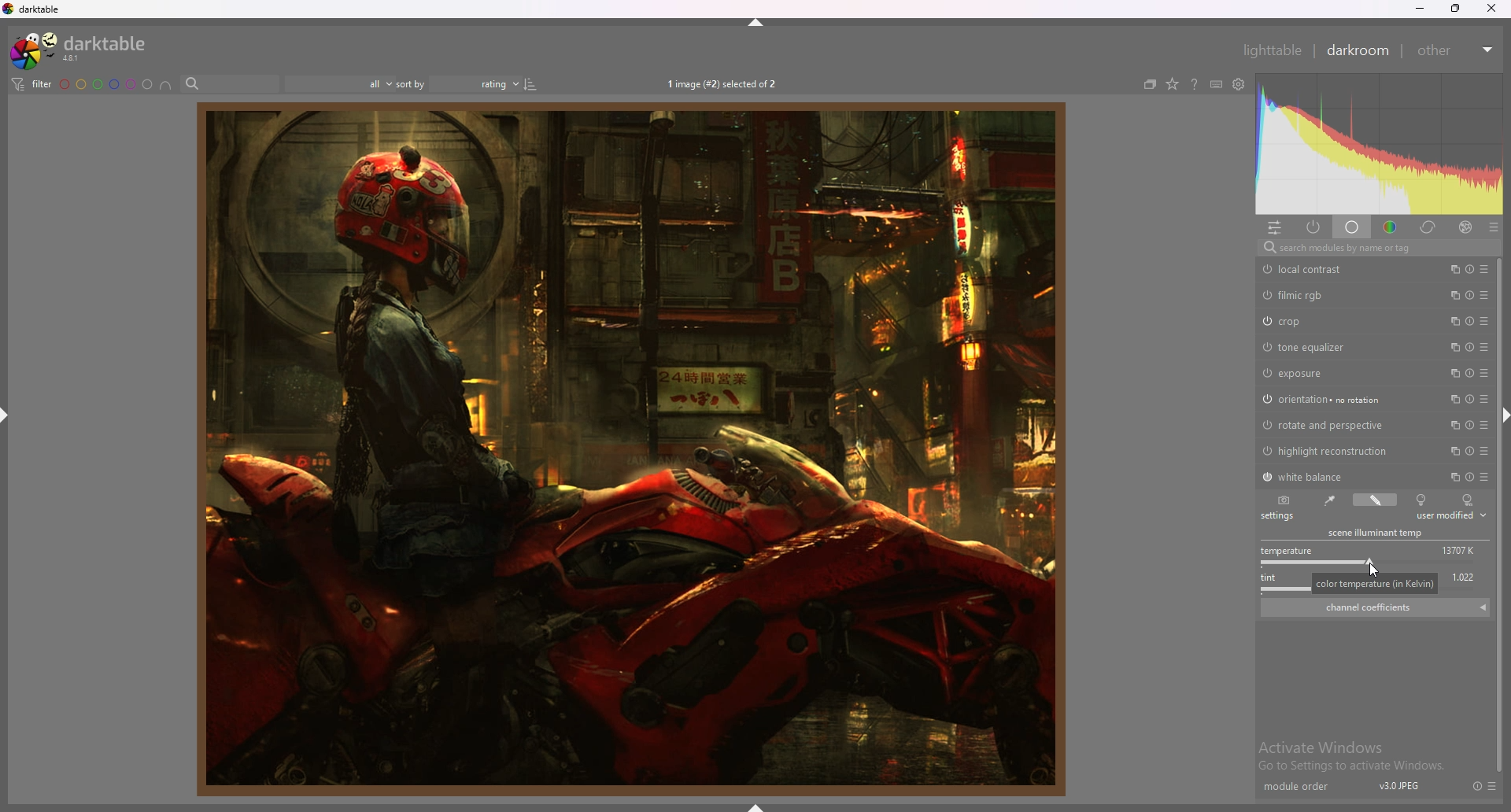  What do you see at coordinates (1239, 84) in the screenshot?
I see `show global preferences` at bounding box center [1239, 84].